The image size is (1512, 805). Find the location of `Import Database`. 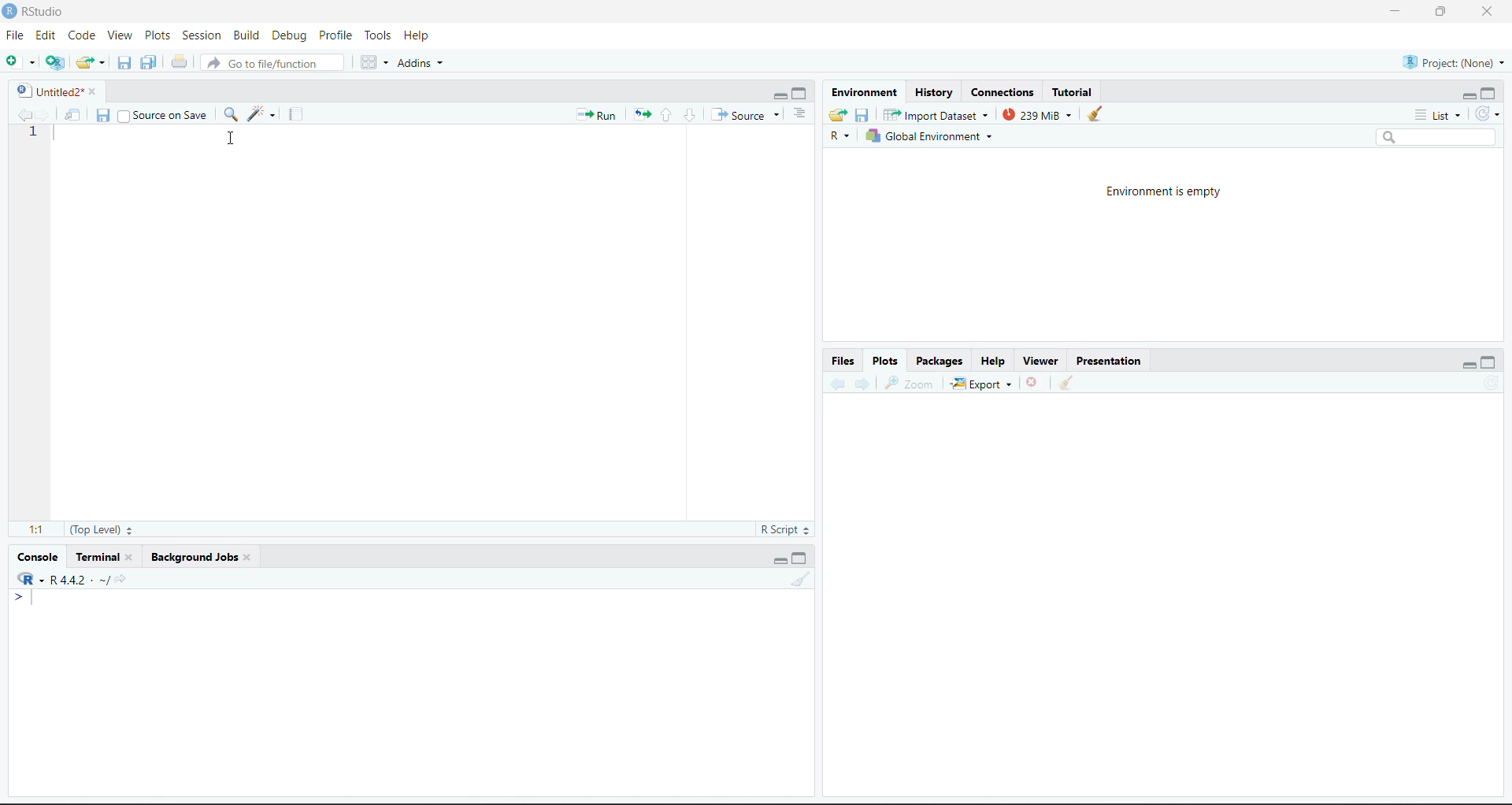

Import Database is located at coordinates (937, 116).